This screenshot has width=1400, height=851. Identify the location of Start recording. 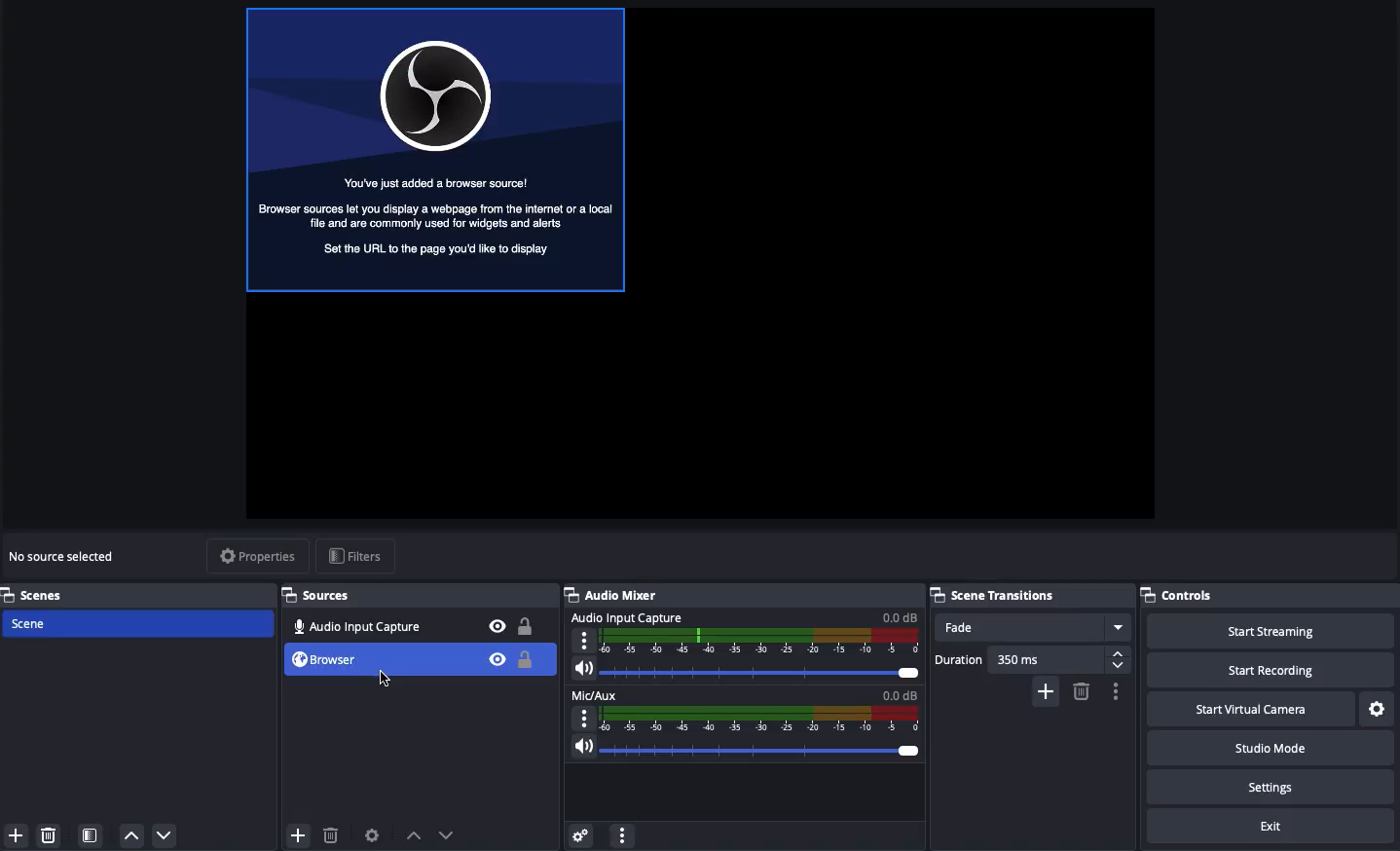
(1264, 669).